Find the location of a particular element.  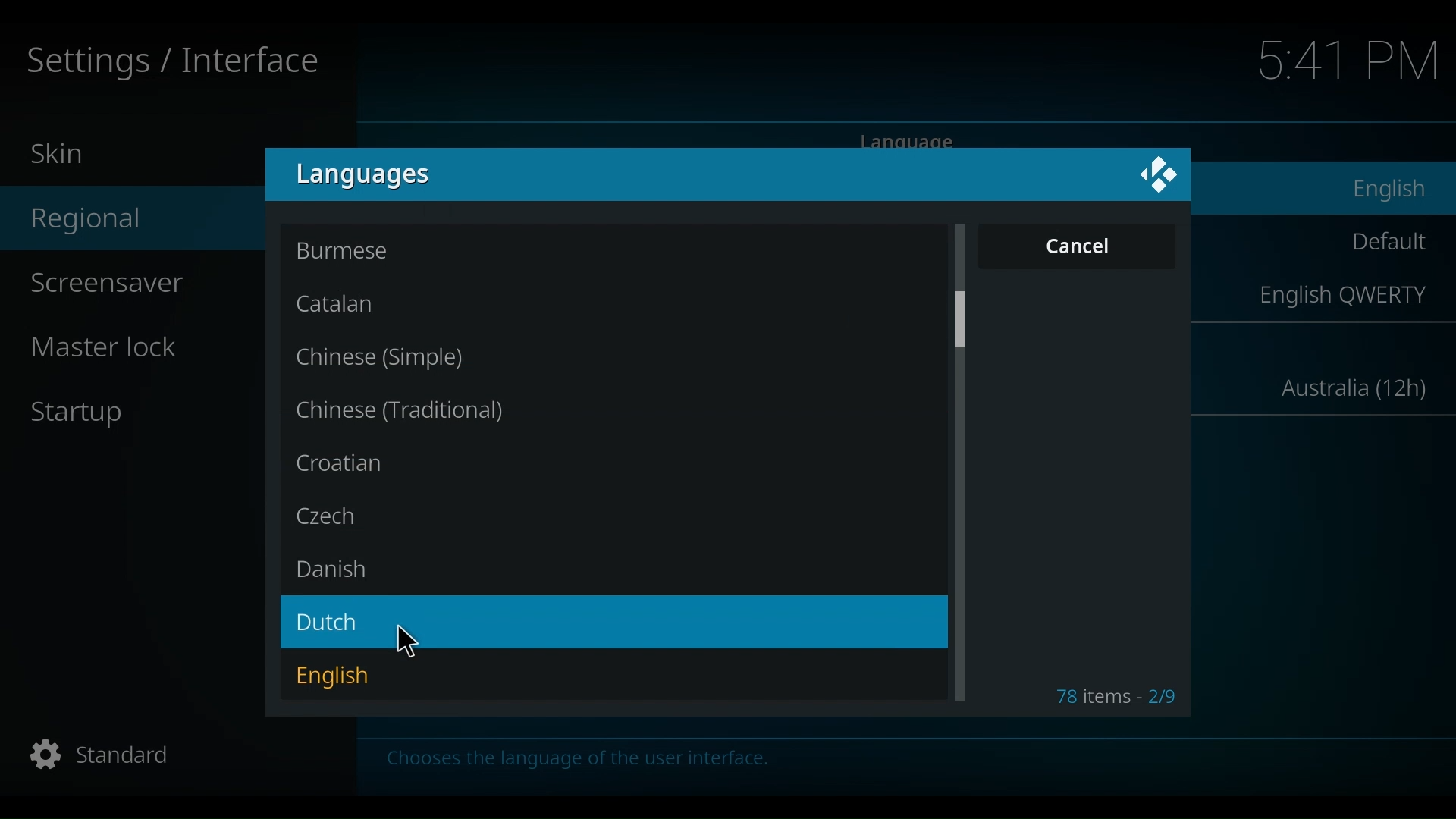

Cancel is located at coordinates (1076, 249).